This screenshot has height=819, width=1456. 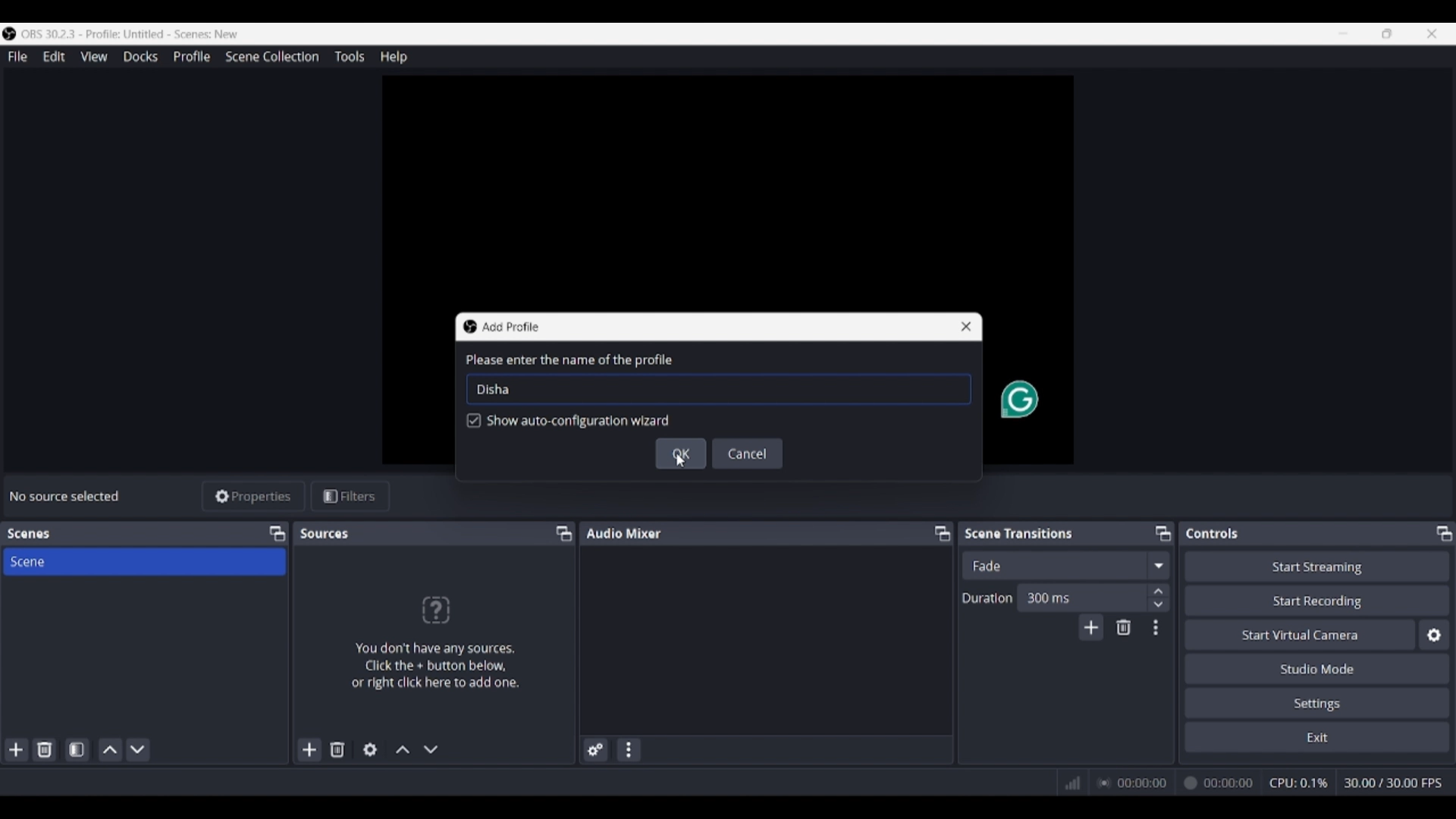 What do you see at coordinates (350, 497) in the screenshot?
I see `Filters` at bounding box center [350, 497].